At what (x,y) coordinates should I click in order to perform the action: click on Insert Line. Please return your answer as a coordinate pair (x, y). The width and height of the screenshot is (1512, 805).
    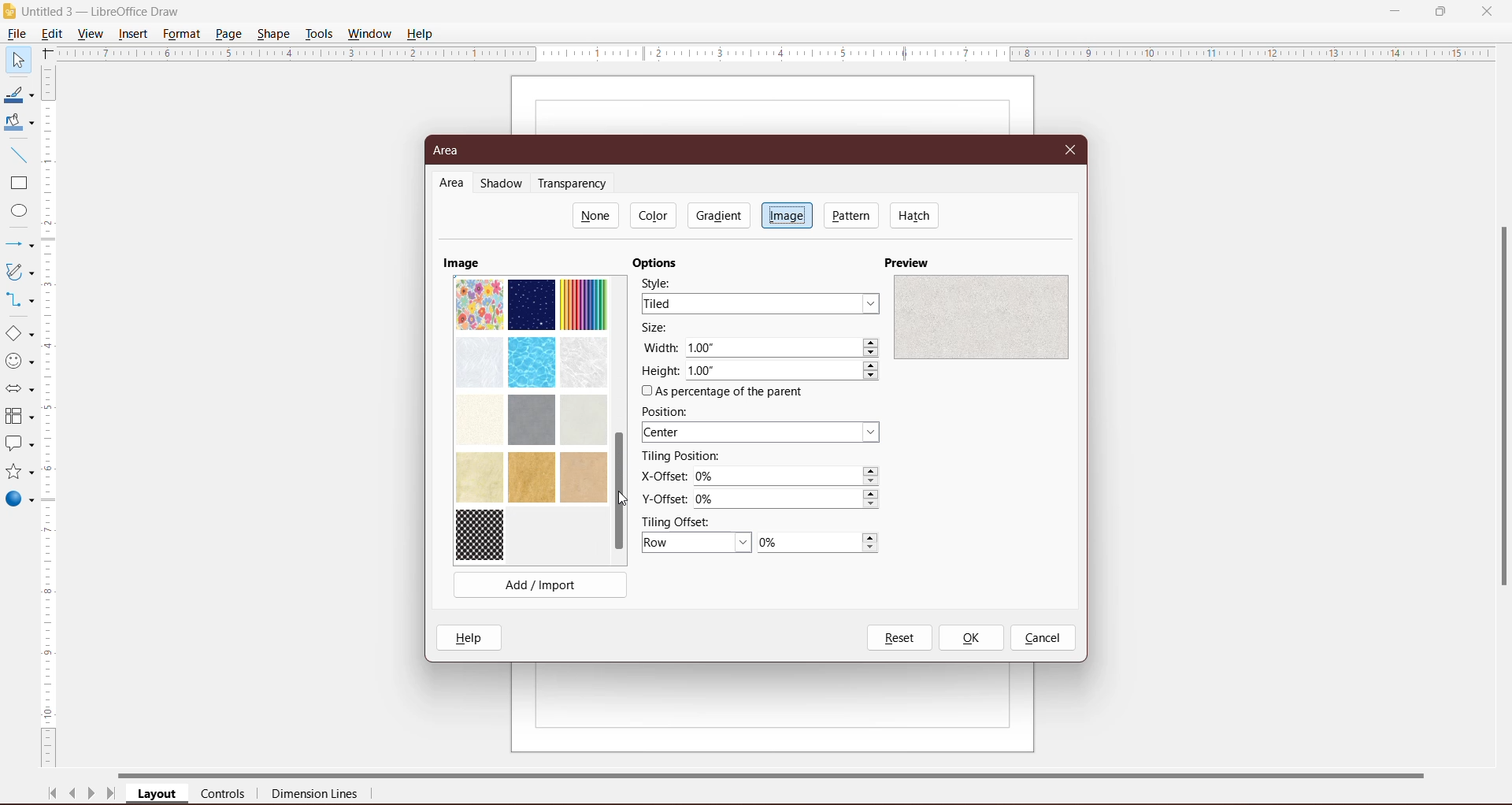
    Looking at the image, I should click on (17, 154).